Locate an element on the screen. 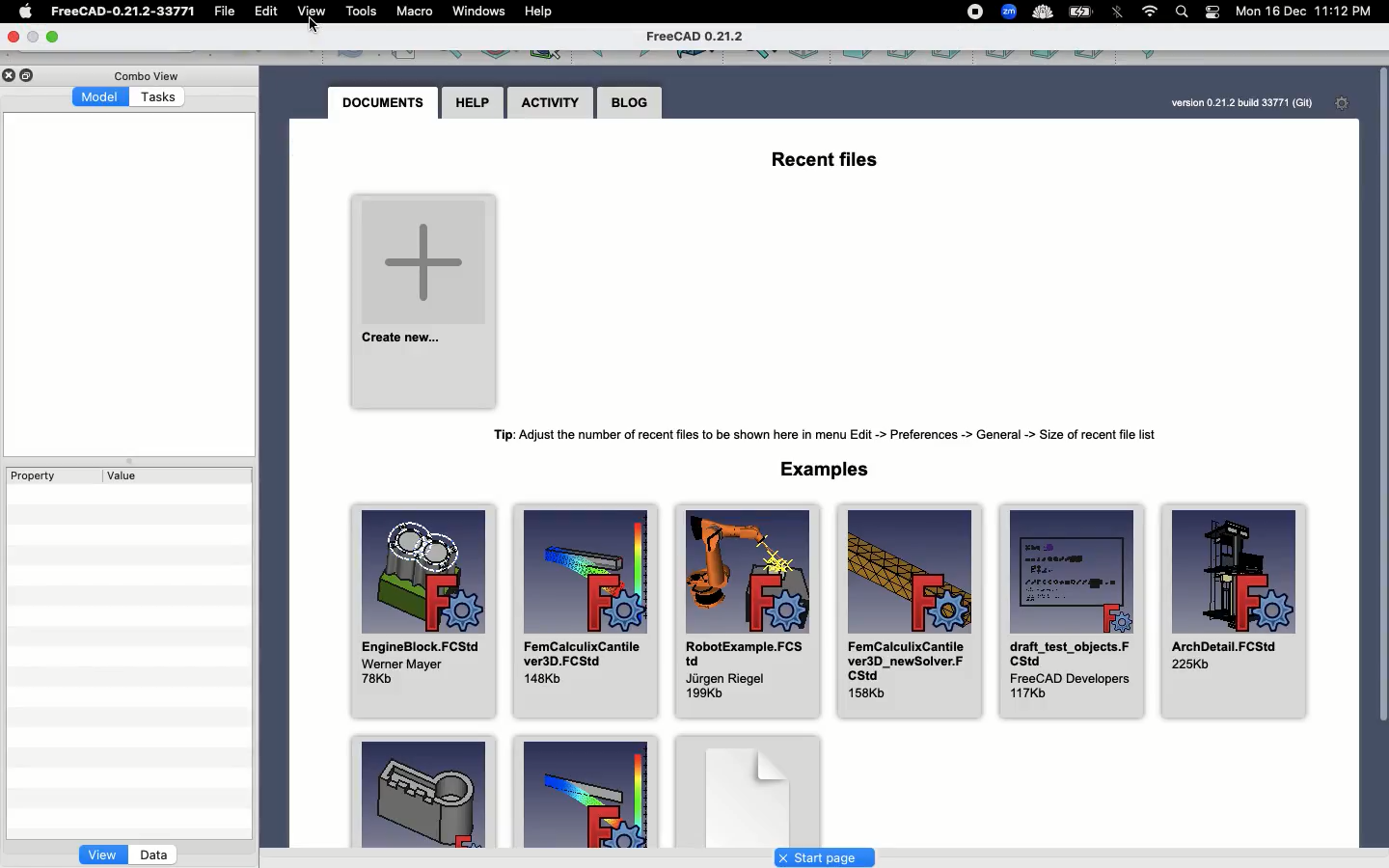 The height and width of the screenshot is (868, 1389). Maximize is located at coordinates (53, 36).